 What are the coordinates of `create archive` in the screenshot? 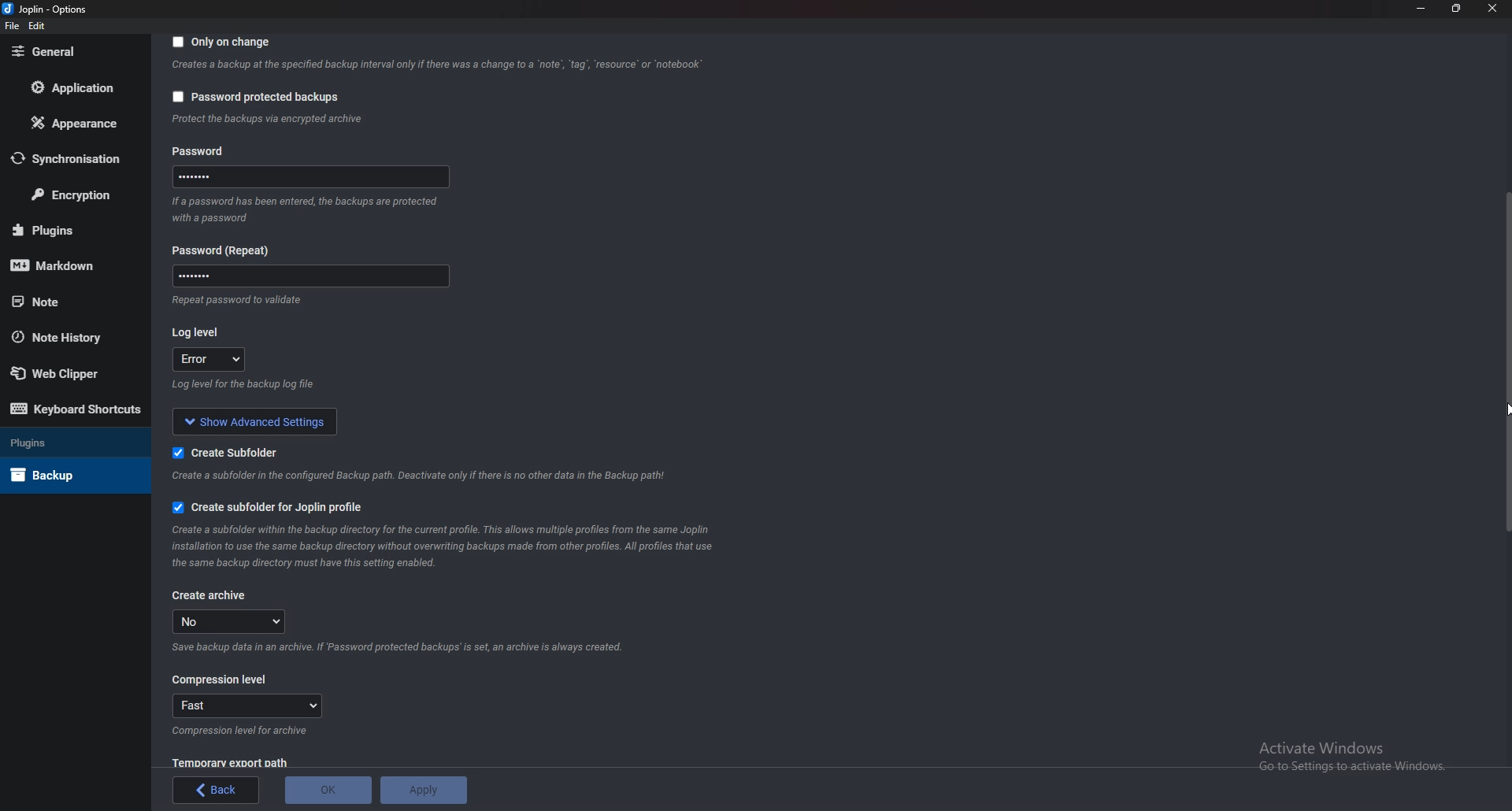 It's located at (210, 595).